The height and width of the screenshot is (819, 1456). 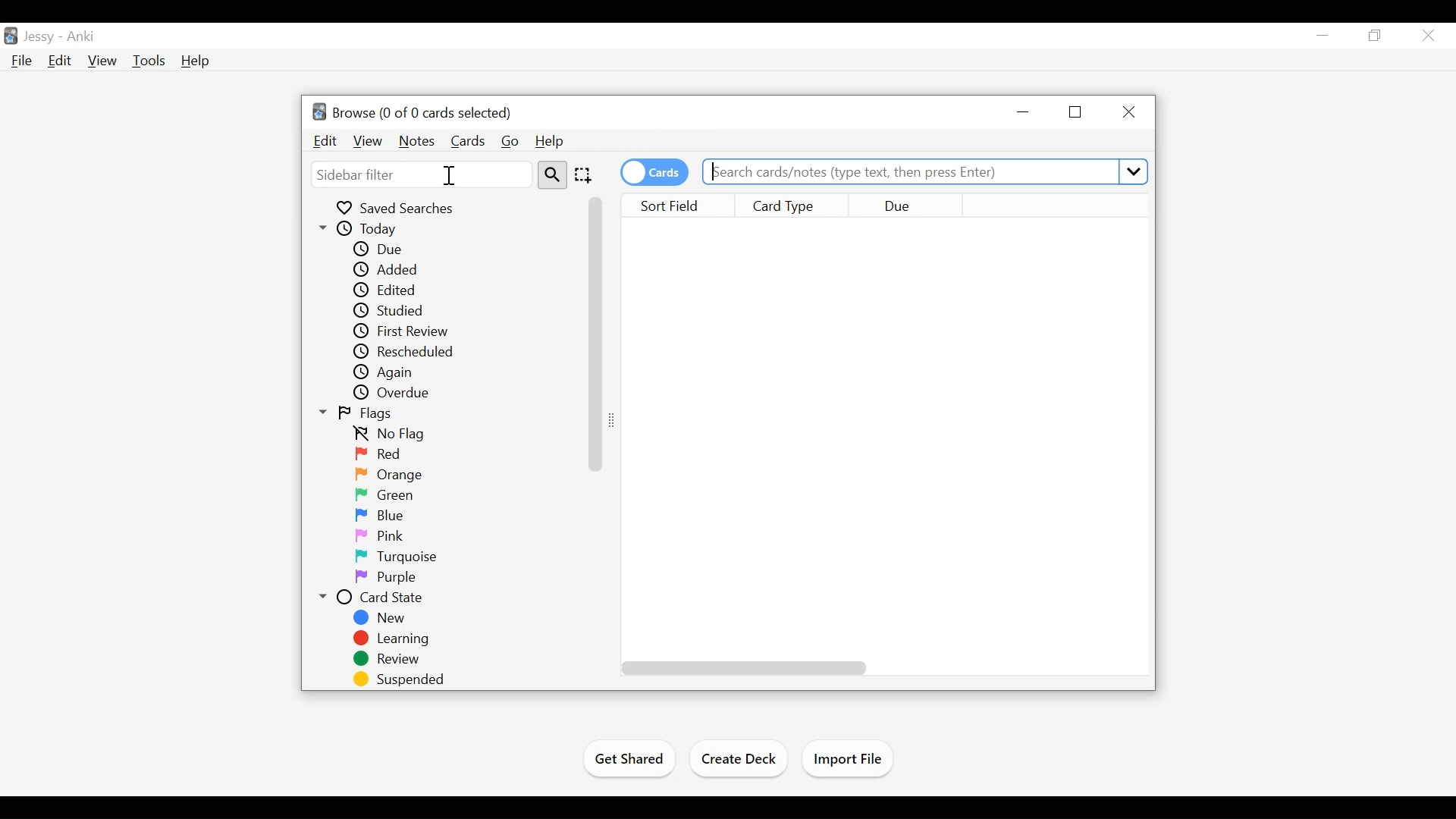 What do you see at coordinates (83, 38) in the screenshot?
I see `Anki` at bounding box center [83, 38].